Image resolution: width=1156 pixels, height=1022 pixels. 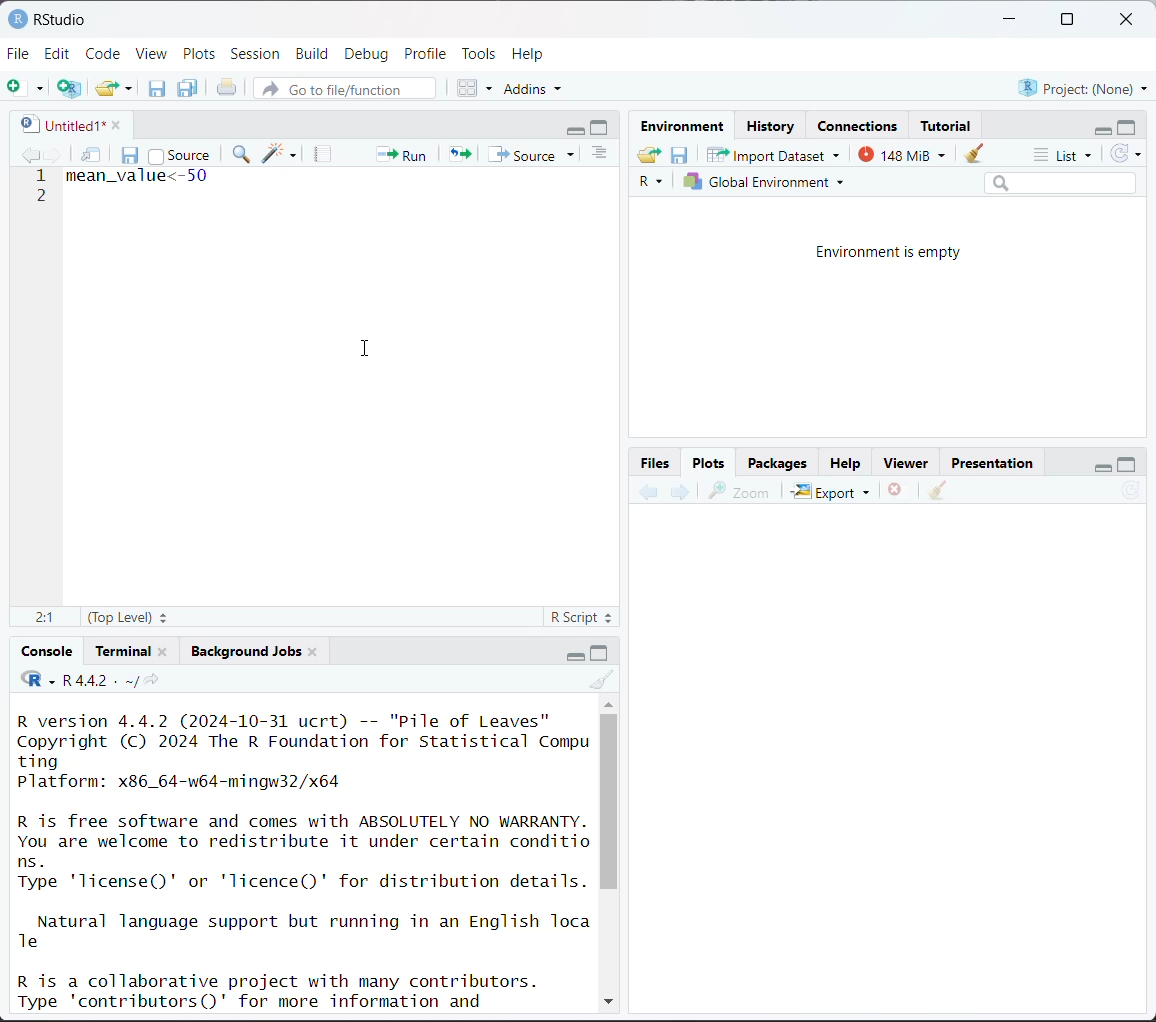 What do you see at coordinates (111, 123) in the screenshot?
I see `close` at bounding box center [111, 123].